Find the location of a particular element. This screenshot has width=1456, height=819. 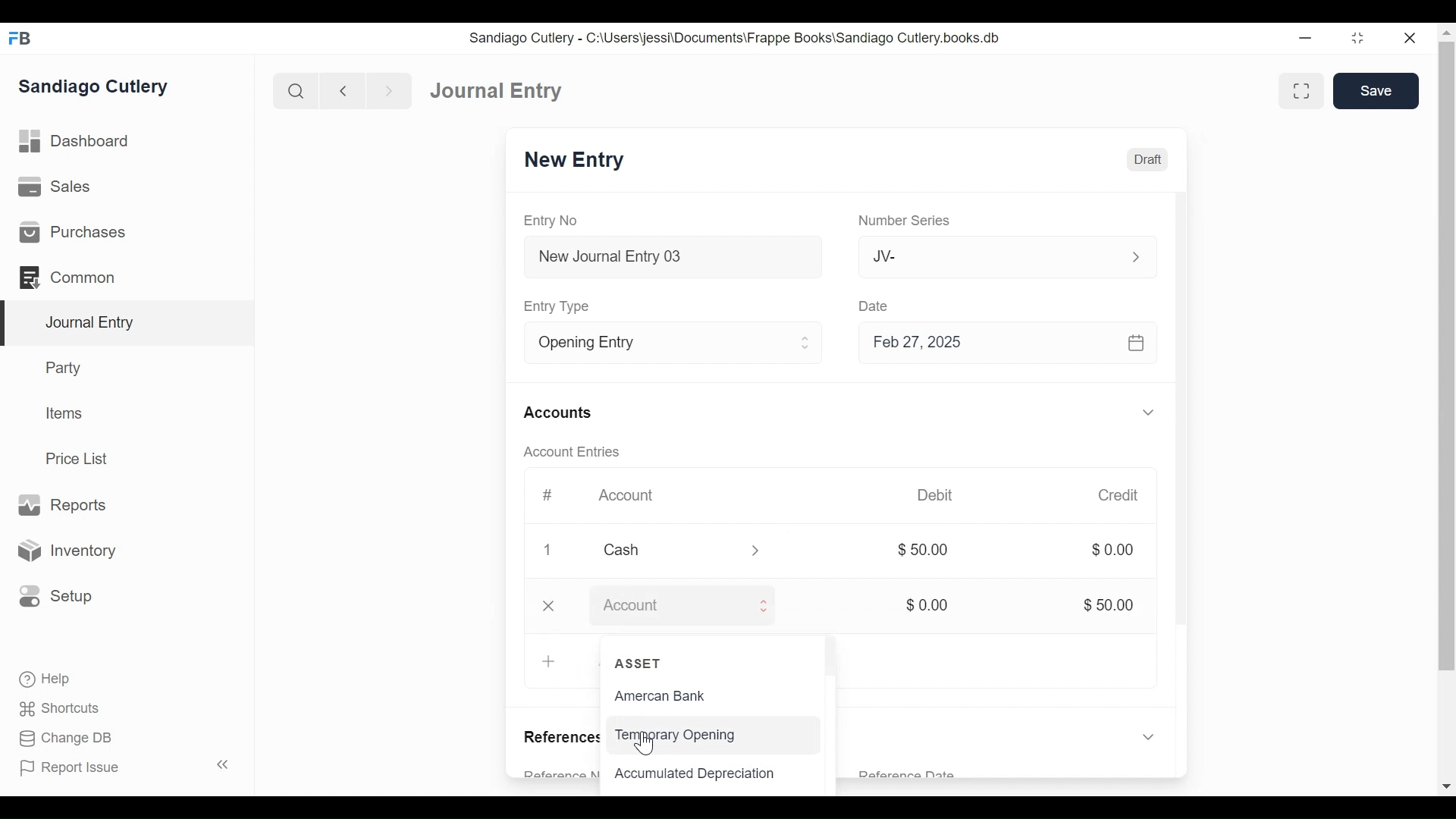

Sandiago Cutlery - C:\Users\jessi\Documents\Frappe Books\Sandiago Cutlery.books.db is located at coordinates (734, 39).